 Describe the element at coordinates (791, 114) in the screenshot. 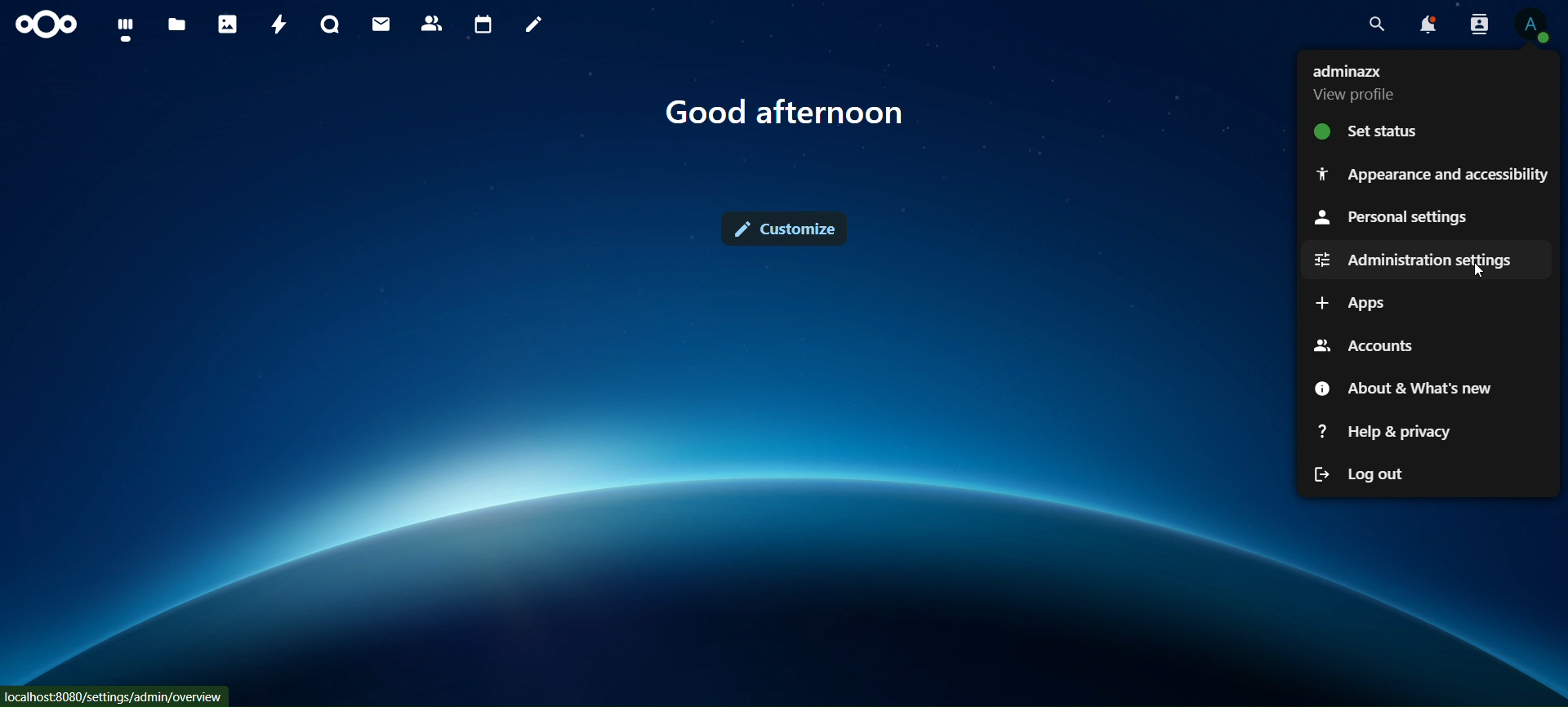

I see `text` at that location.